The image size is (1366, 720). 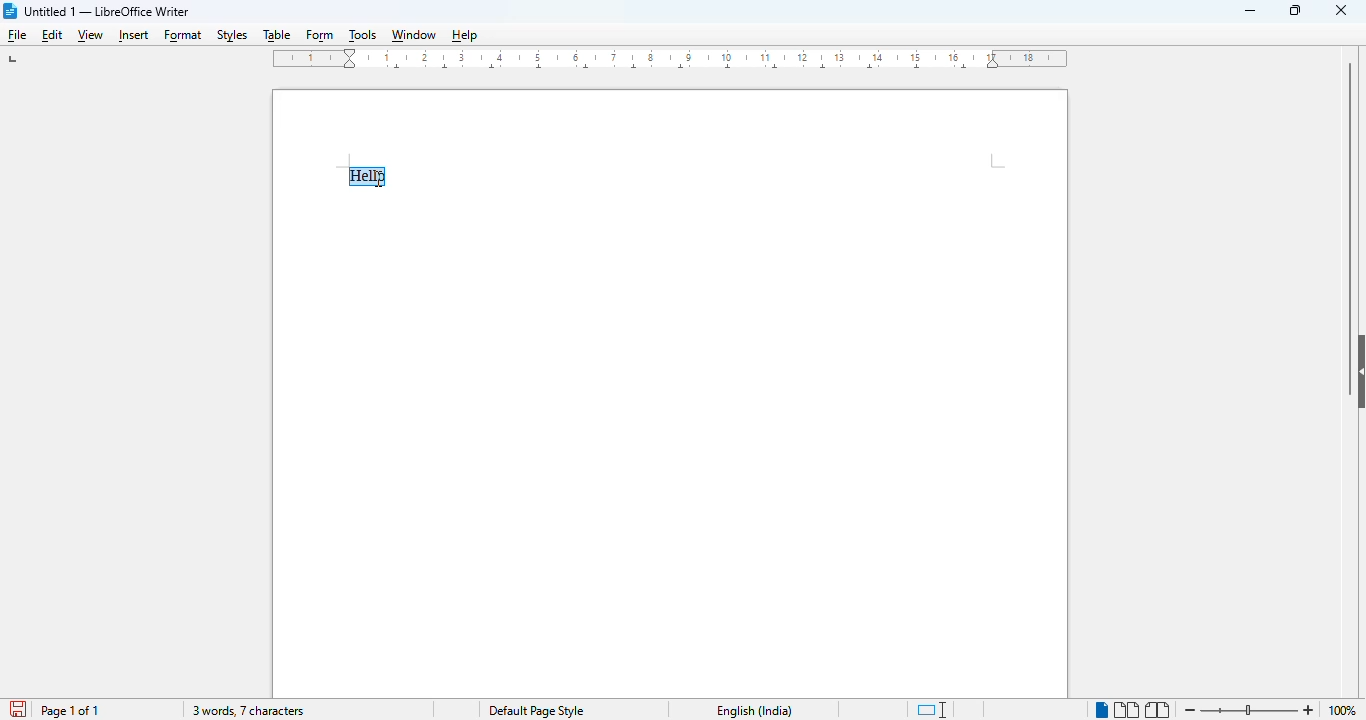 I want to click on styles, so click(x=233, y=35).